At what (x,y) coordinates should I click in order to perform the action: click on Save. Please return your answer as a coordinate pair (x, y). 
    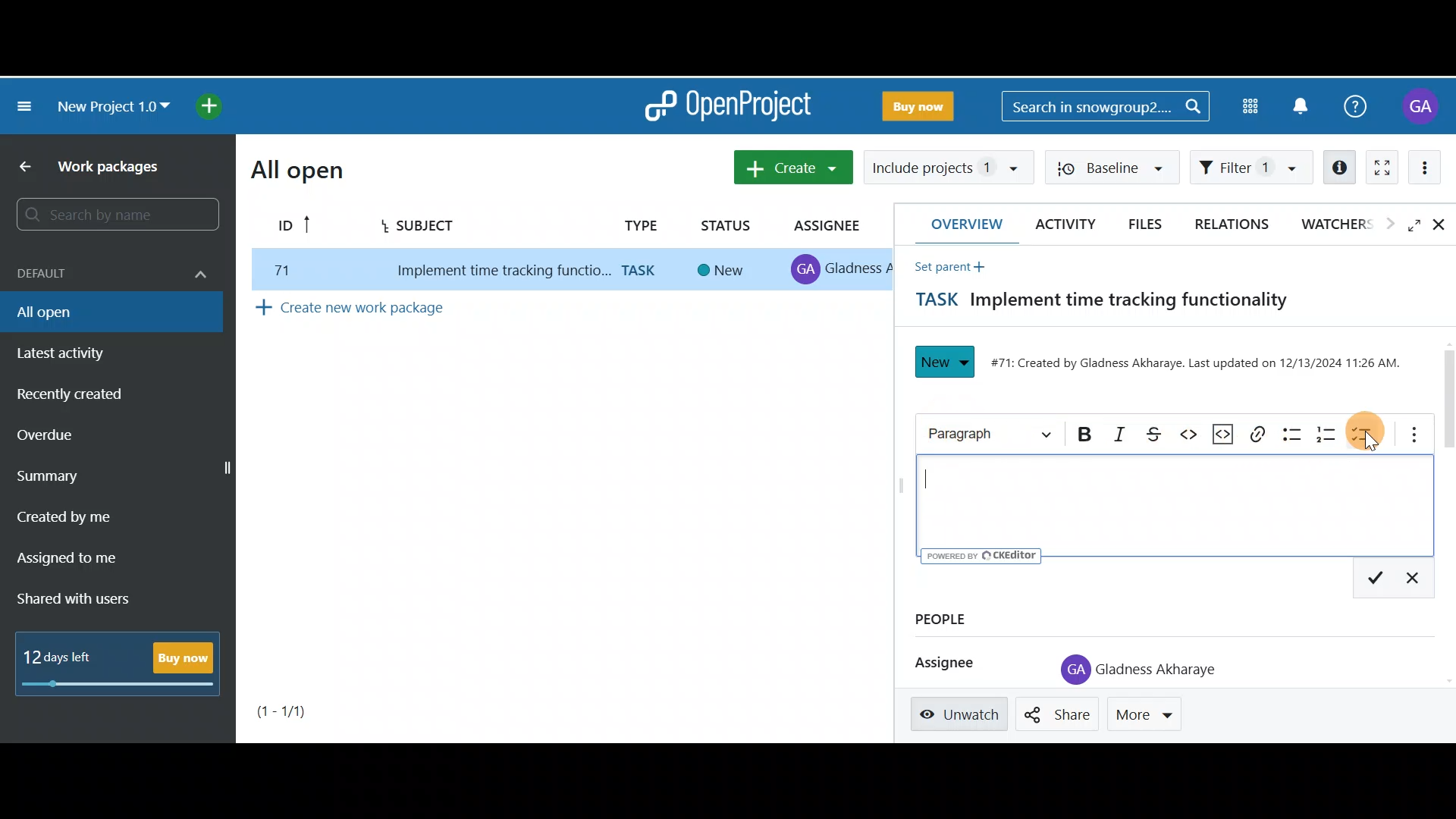
    Looking at the image, I should click on (1373, 579).